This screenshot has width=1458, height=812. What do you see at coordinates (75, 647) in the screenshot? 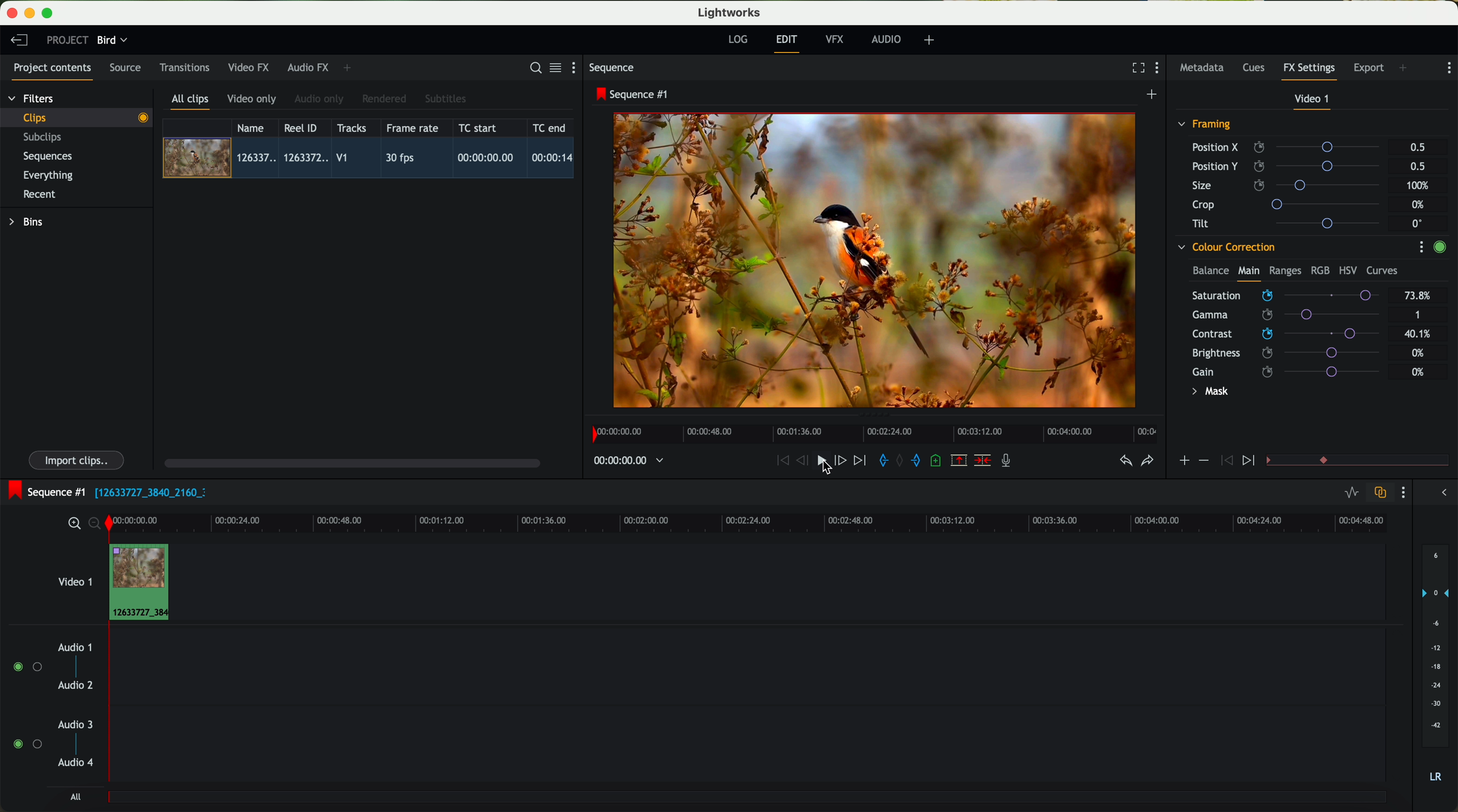
I see `audio 1` at bounding box center [75, 647].